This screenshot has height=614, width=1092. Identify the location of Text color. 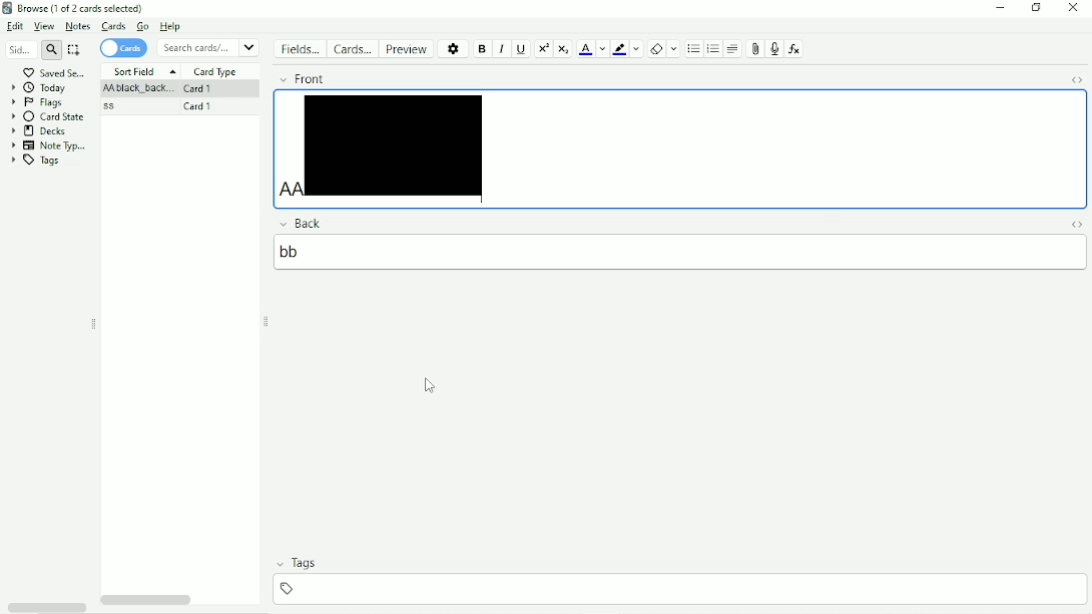
(585, 50).